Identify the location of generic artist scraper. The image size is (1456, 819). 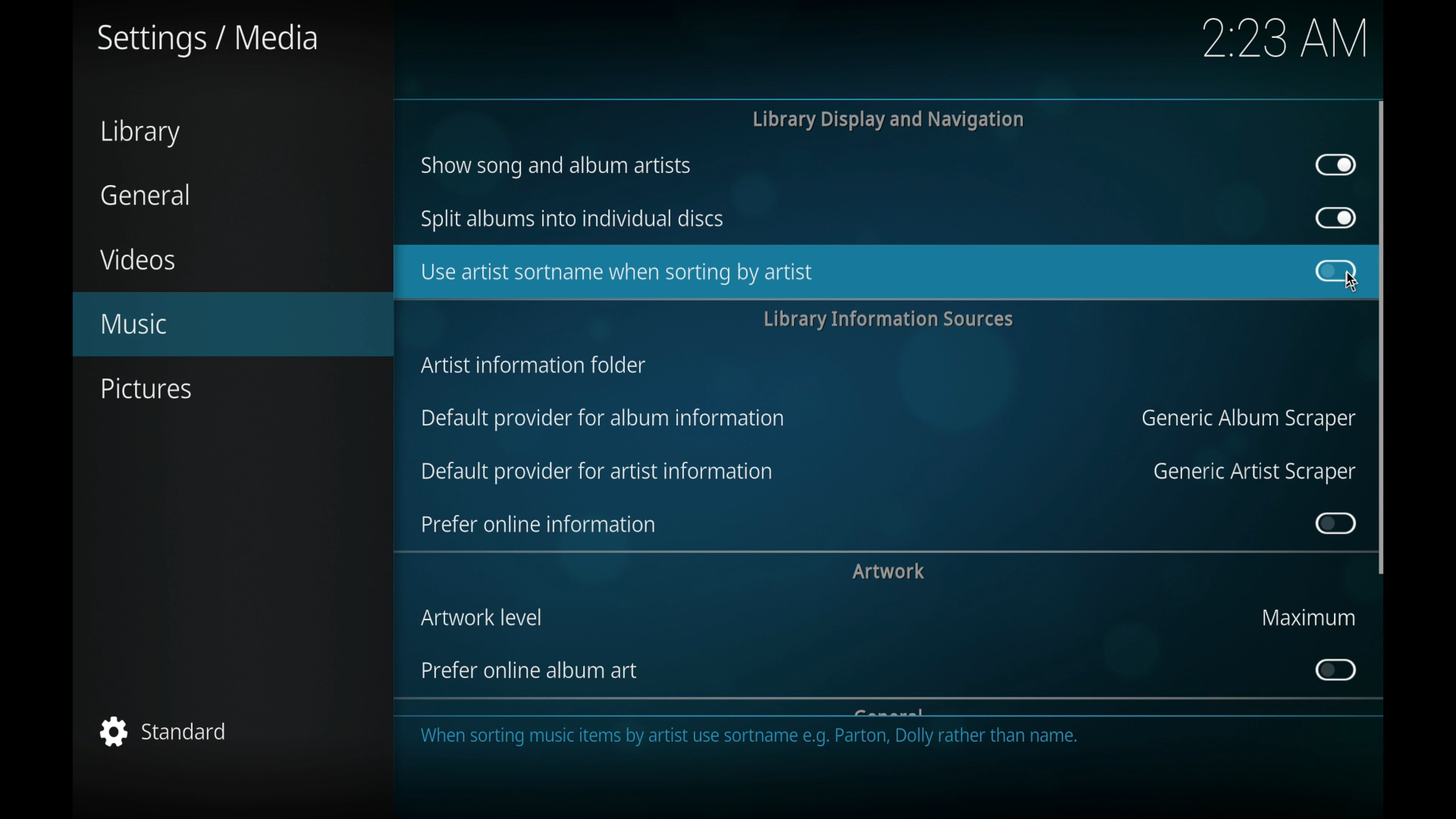
(1254, 472).